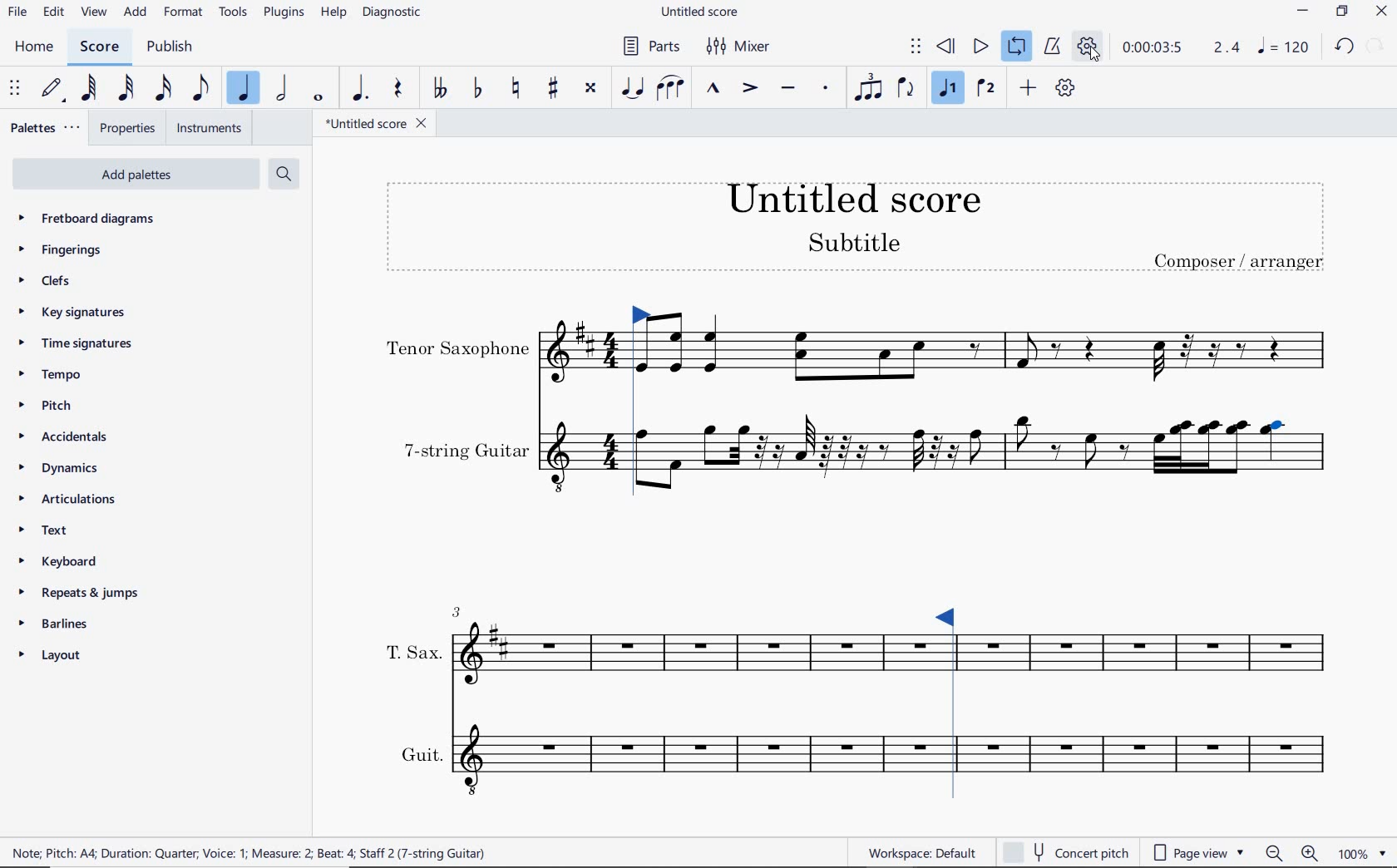  What do you see at coordinates (1167, 756) in the screenshot?
I see `INSTRUMENT: GUIT` at bounding box center [1167, 756].